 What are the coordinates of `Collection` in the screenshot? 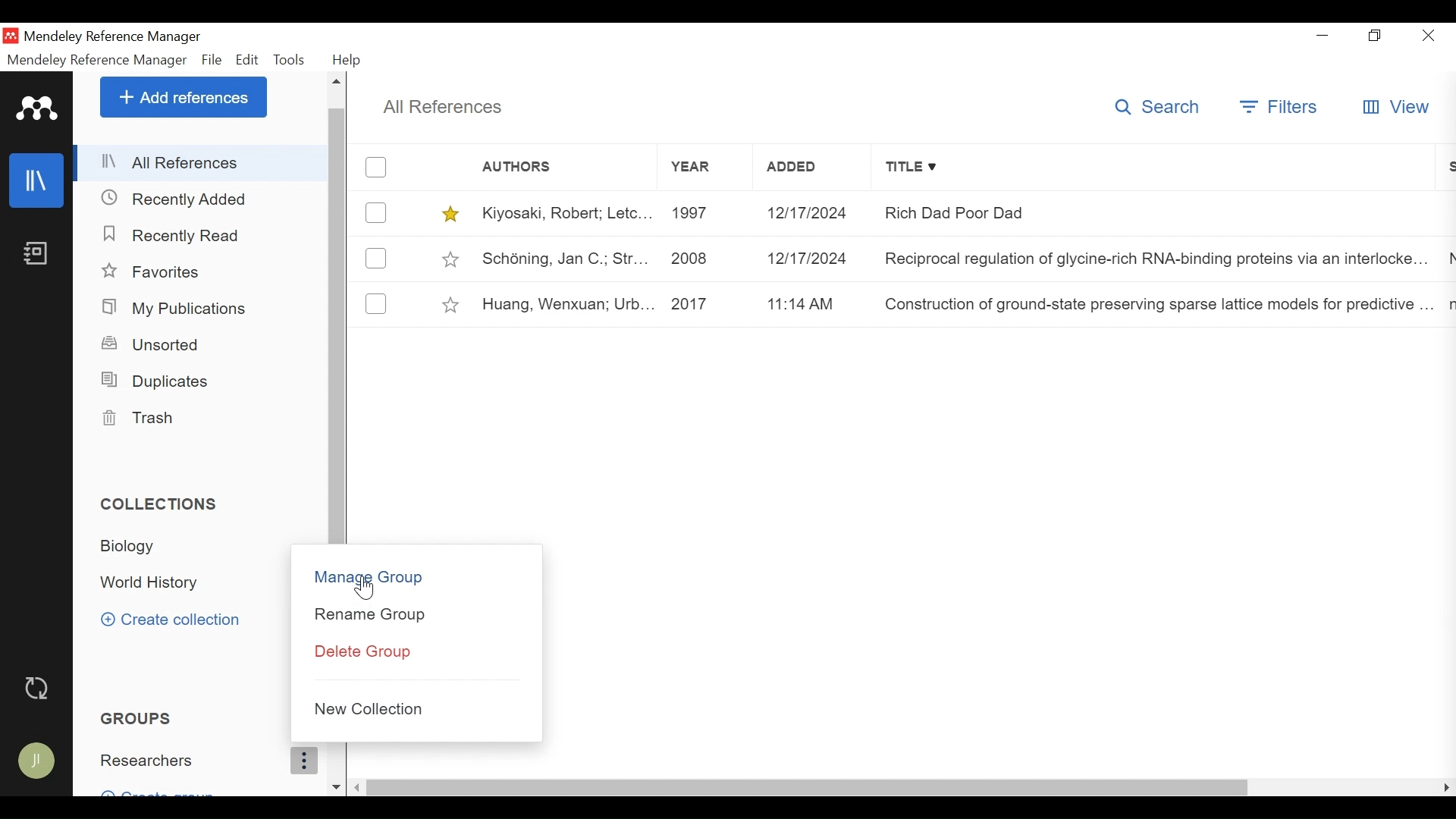 It's located at (158, 502).